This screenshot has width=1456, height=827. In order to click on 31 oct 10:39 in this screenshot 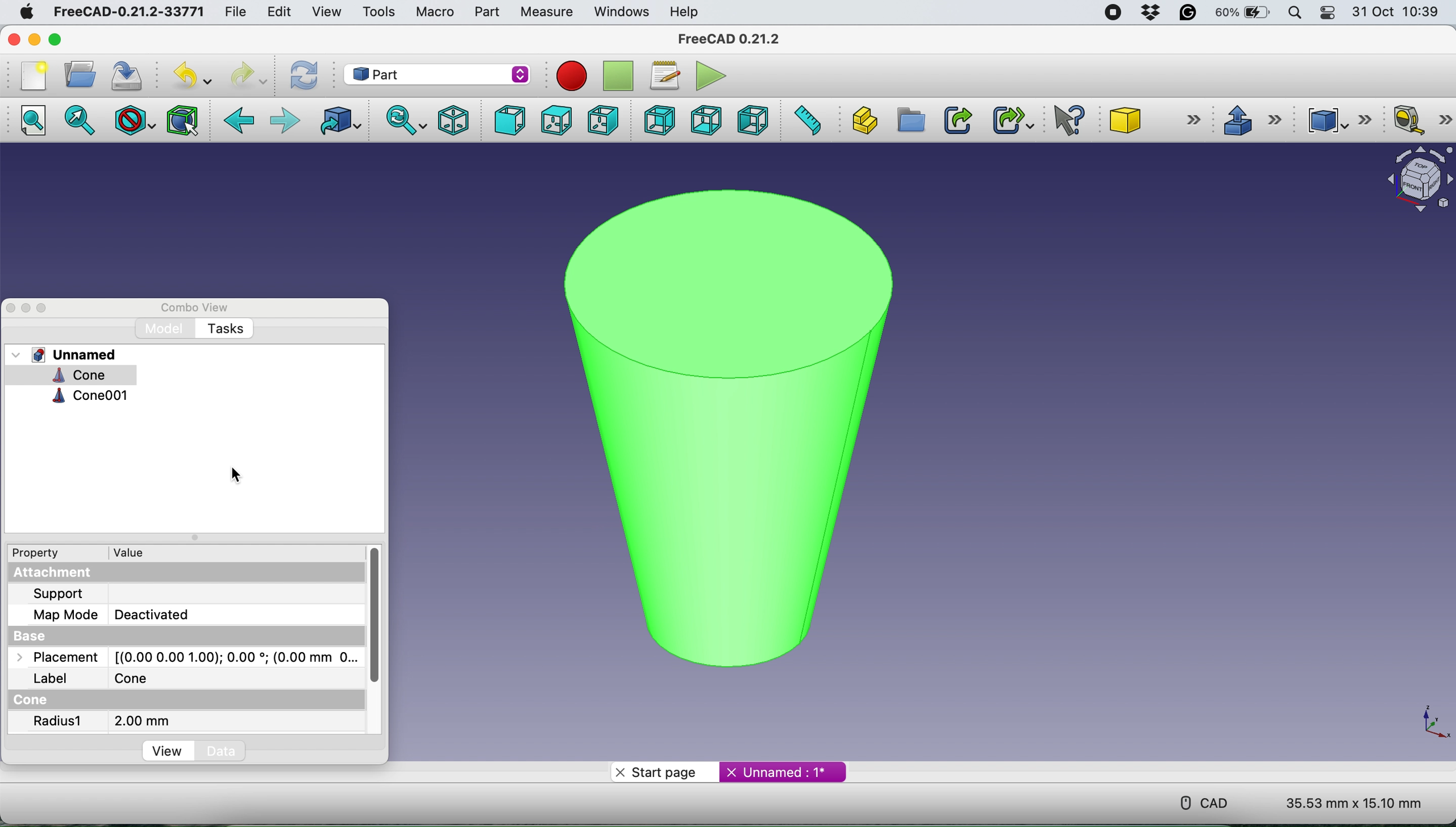, I will do `click(1401, 12)`.